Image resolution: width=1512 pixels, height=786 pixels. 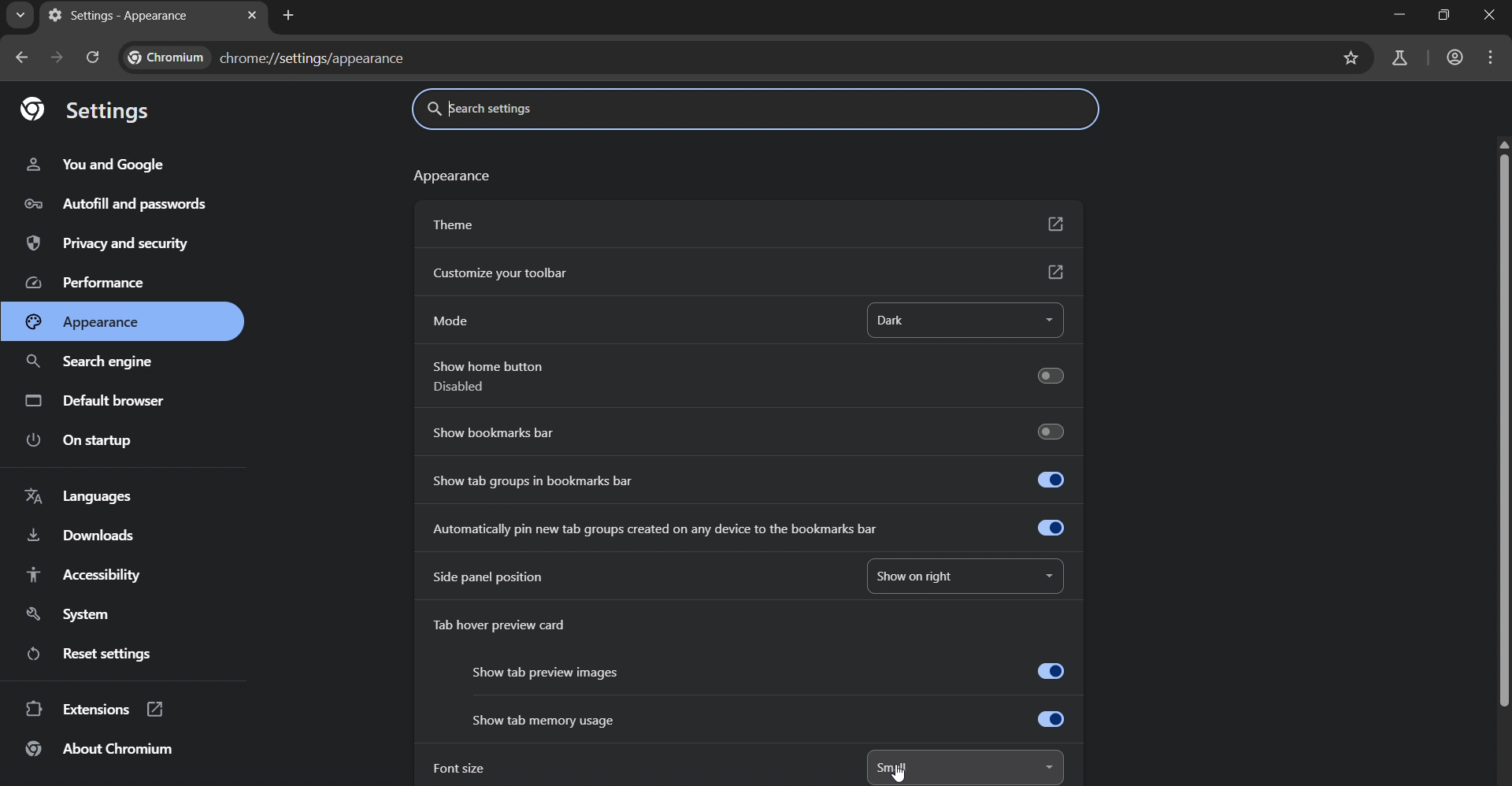 What do you see at coordinates (771, 673) in the screenshot?
I see `show tab preview images` at bounding box center [771, 673].